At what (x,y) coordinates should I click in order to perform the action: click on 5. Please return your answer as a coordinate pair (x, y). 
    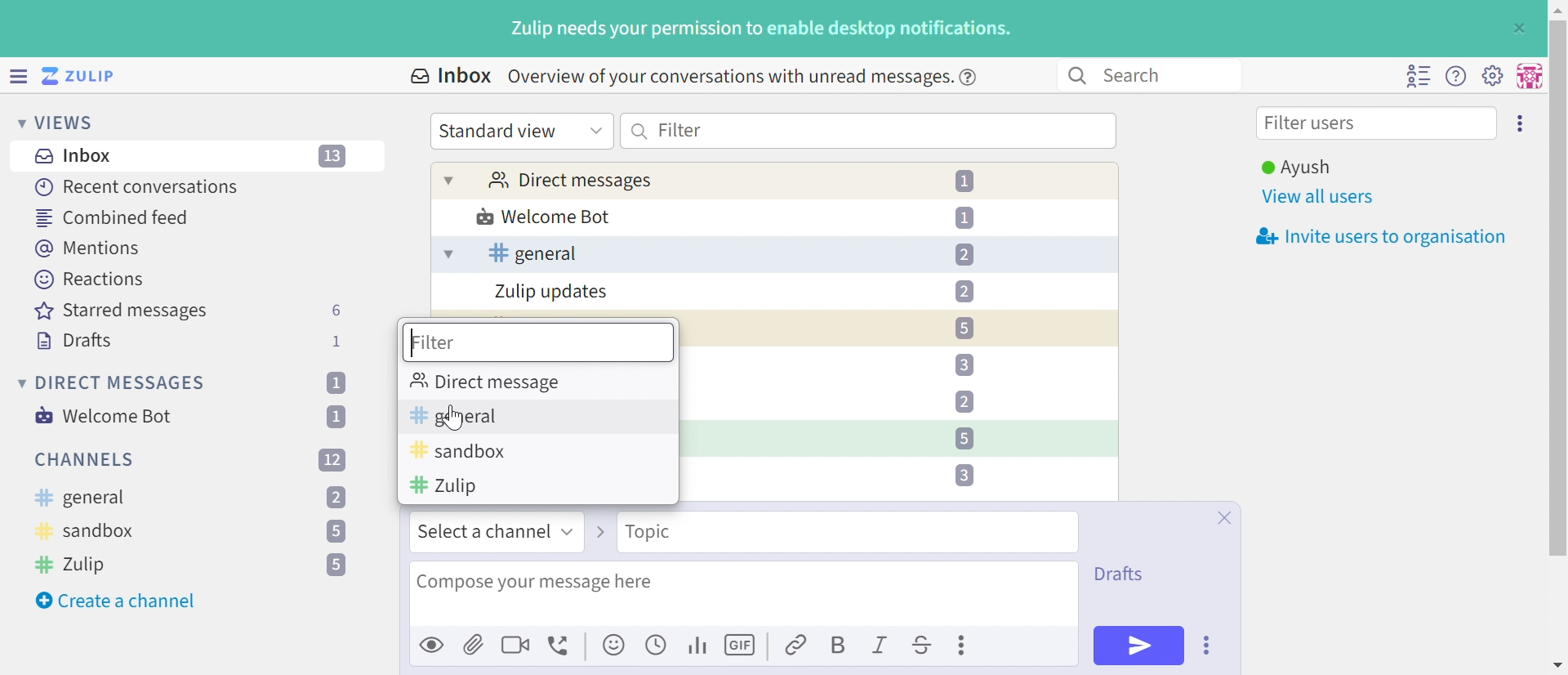
    Looking at the image, I should click on (336, 565).